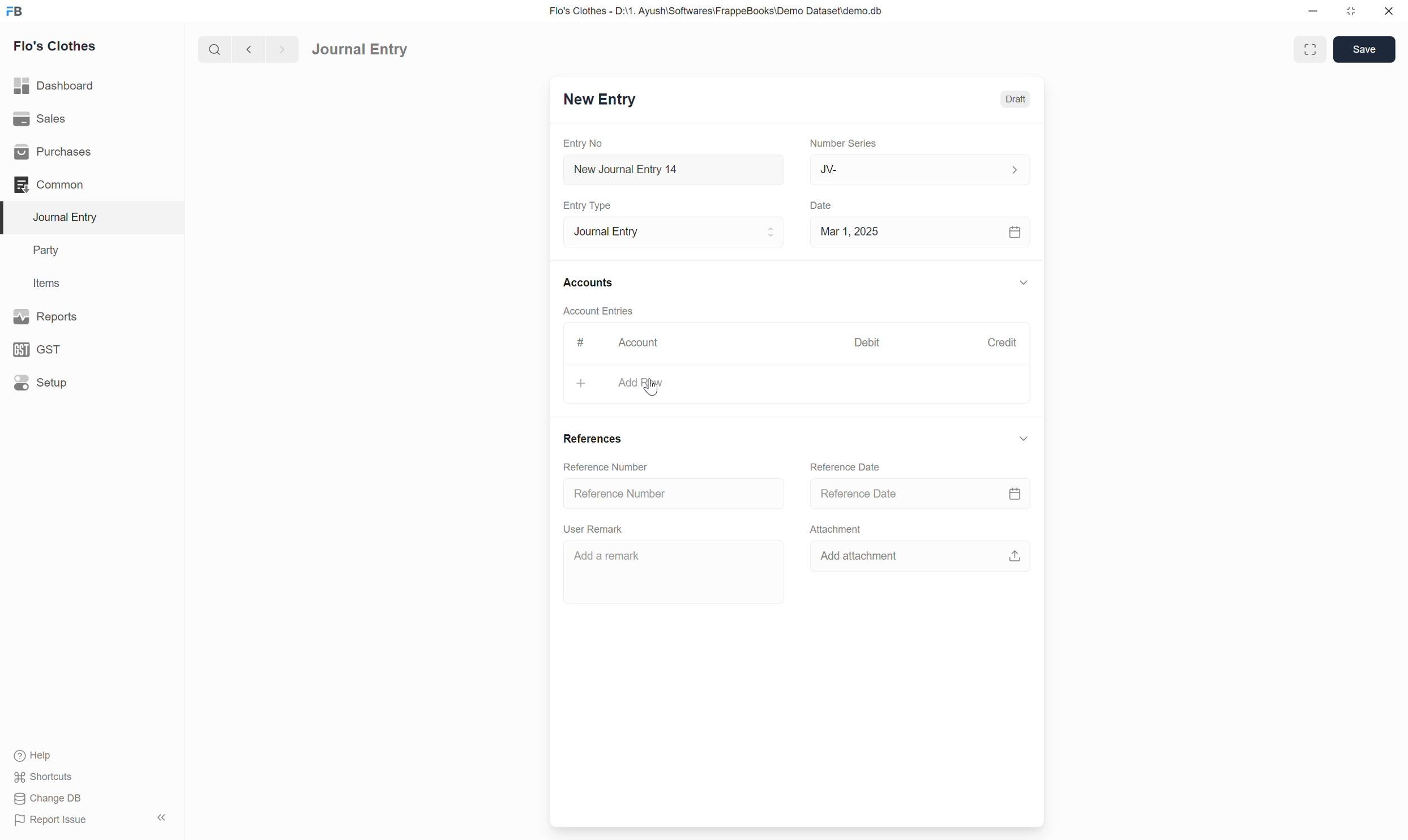 The height and width of the screenshot is (840, 1408). I want to click on minimize, so click(1313, 12).